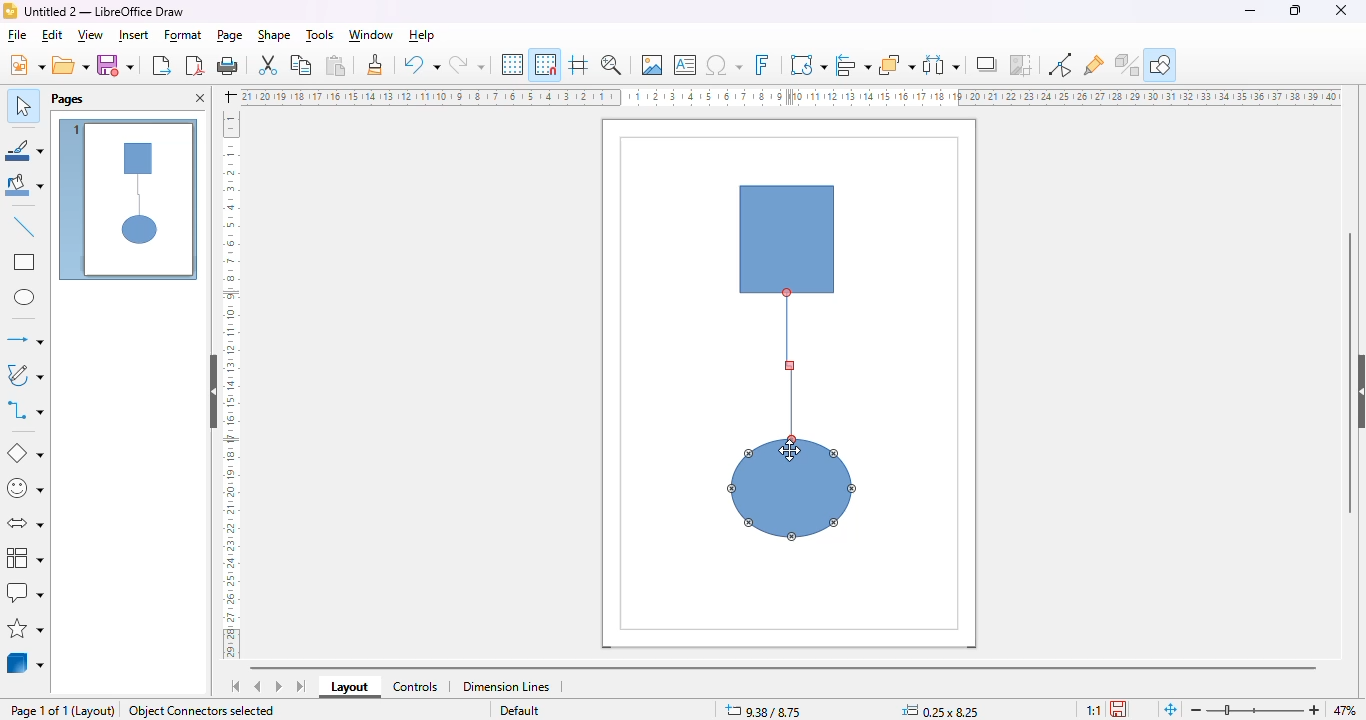  I want to click on mouse up, so click(790, 452).